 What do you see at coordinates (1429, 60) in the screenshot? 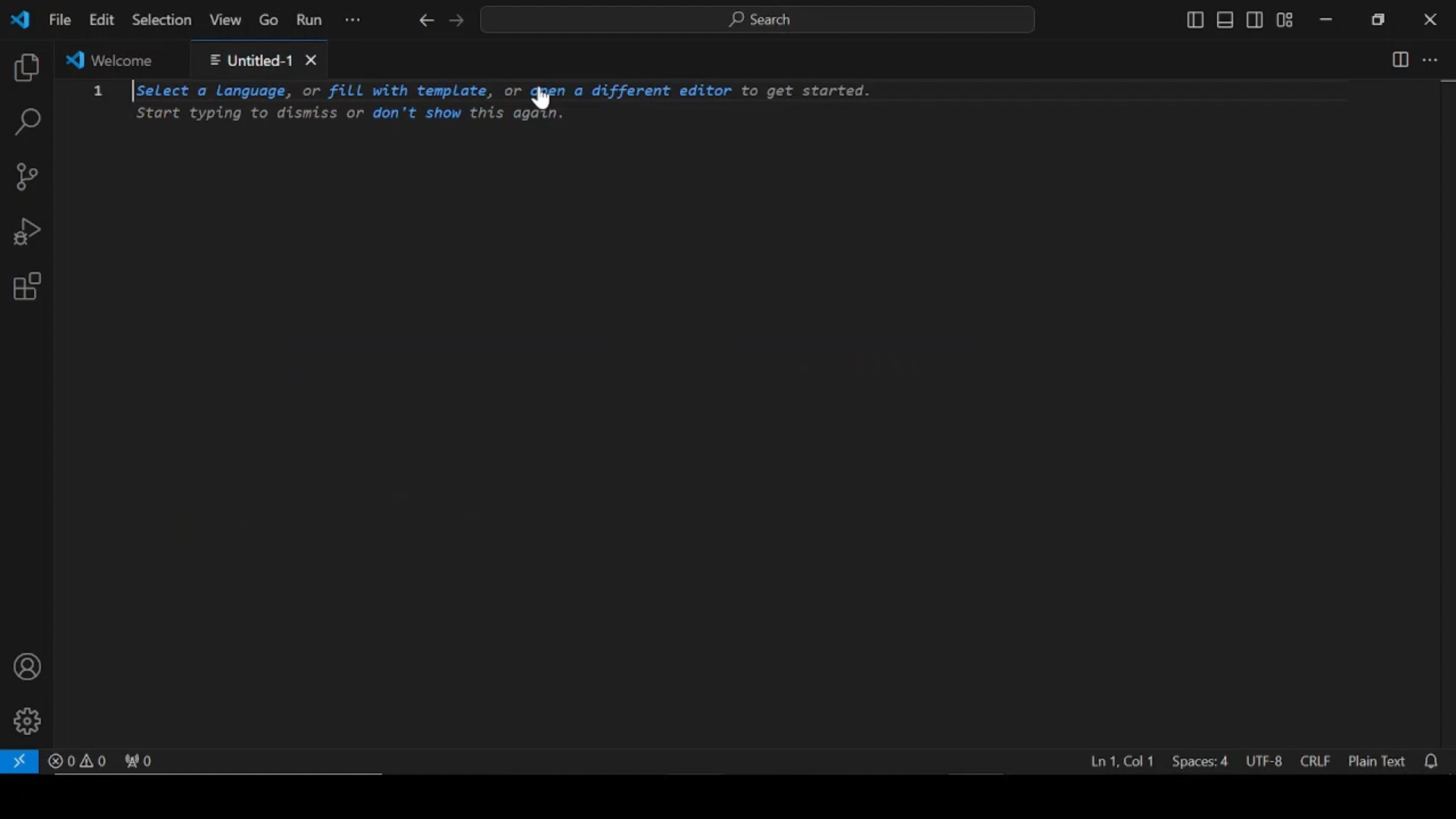
I see `more actions` at bounding box center [1429, 60].